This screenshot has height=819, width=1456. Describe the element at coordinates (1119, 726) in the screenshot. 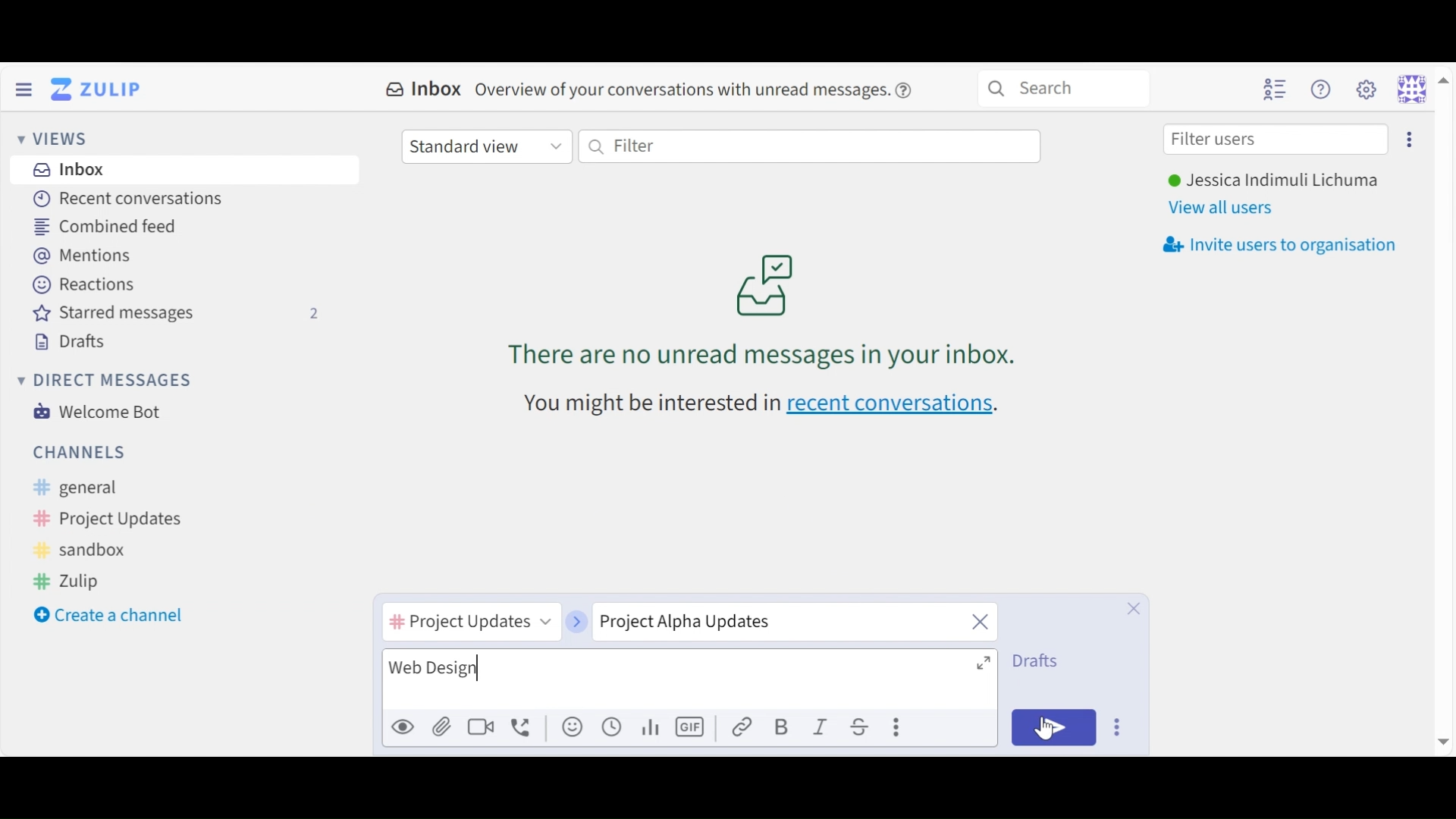

I see `Send Options` at that location.